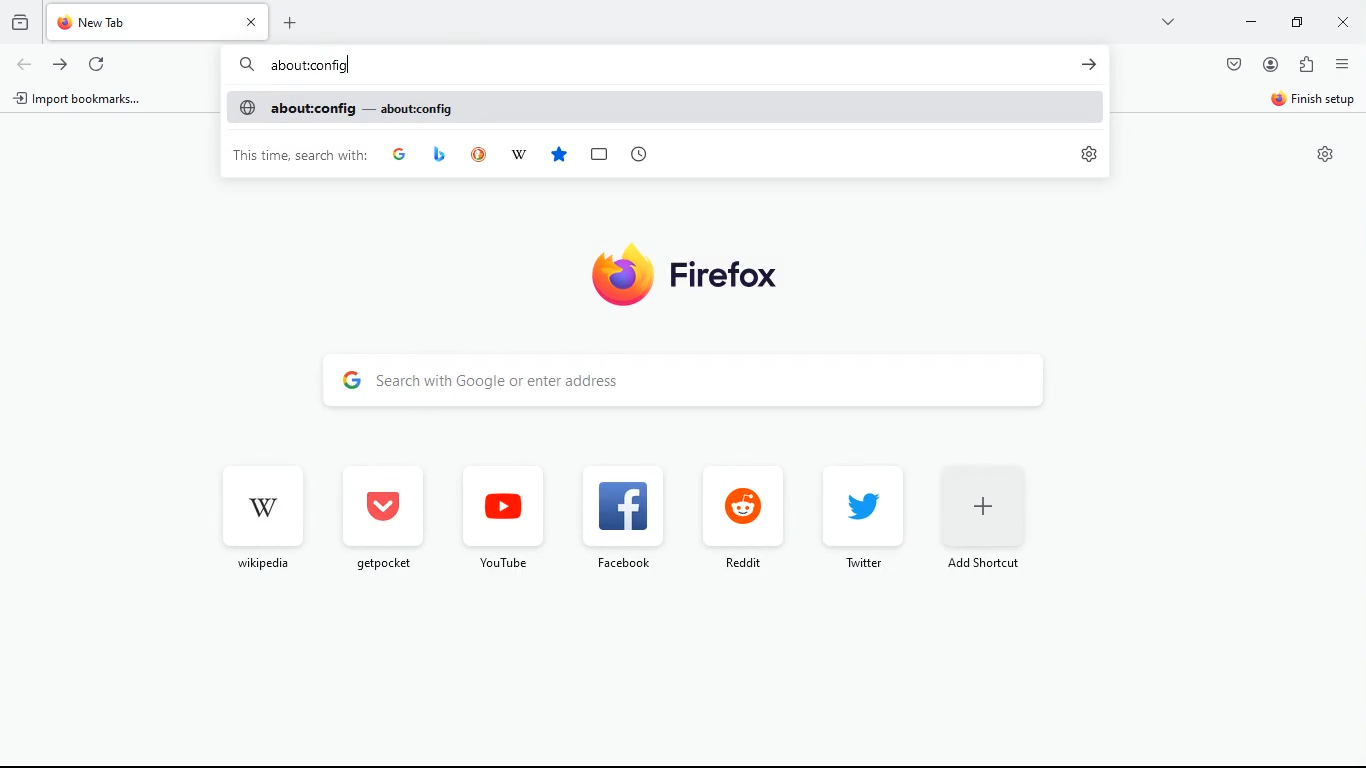 The width and height of the screenshot is (1366, 768). I want to click on facebook, so click(619, 516).